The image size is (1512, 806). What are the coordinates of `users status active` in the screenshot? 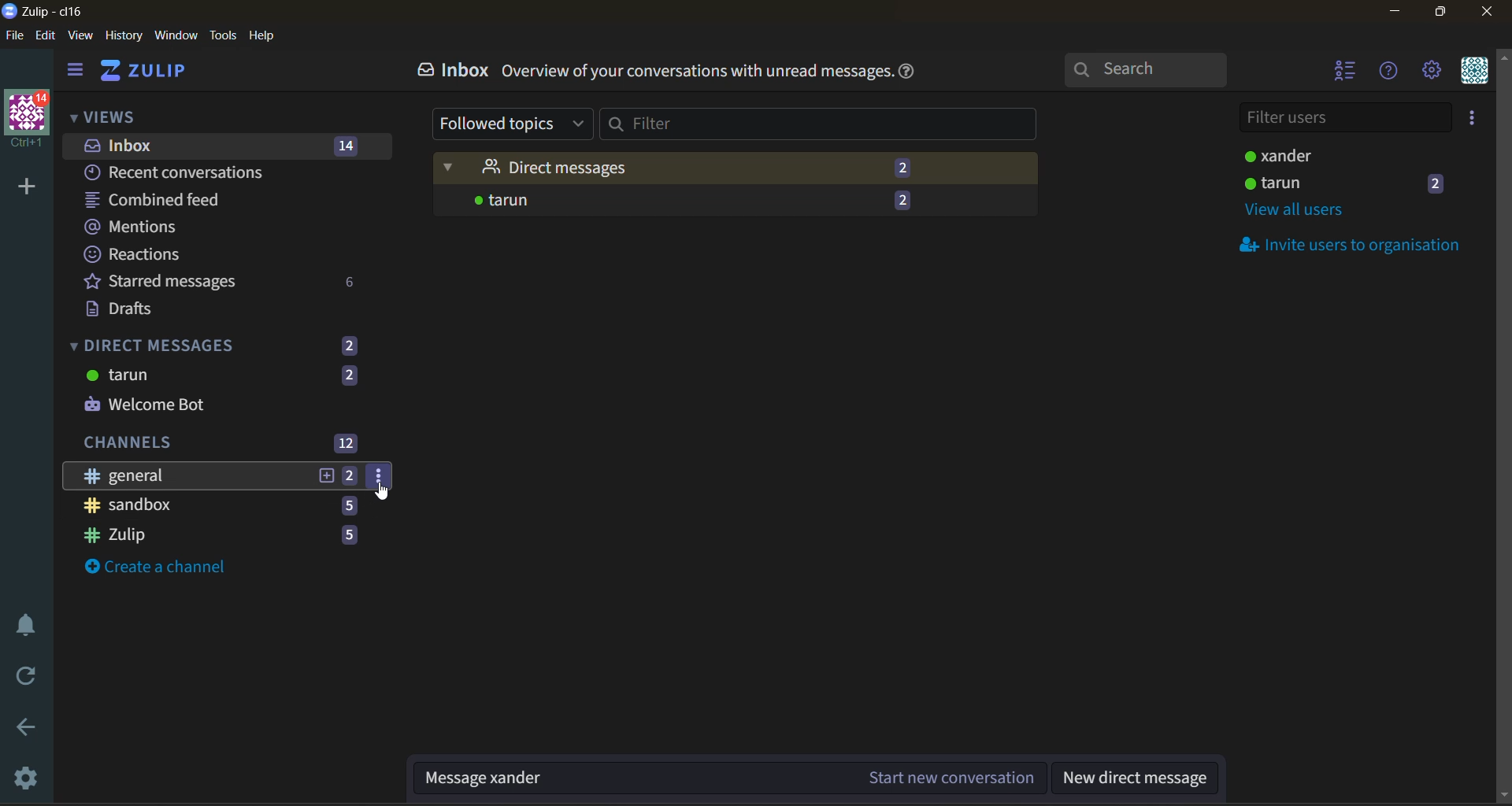 It's located at (1354, 156).